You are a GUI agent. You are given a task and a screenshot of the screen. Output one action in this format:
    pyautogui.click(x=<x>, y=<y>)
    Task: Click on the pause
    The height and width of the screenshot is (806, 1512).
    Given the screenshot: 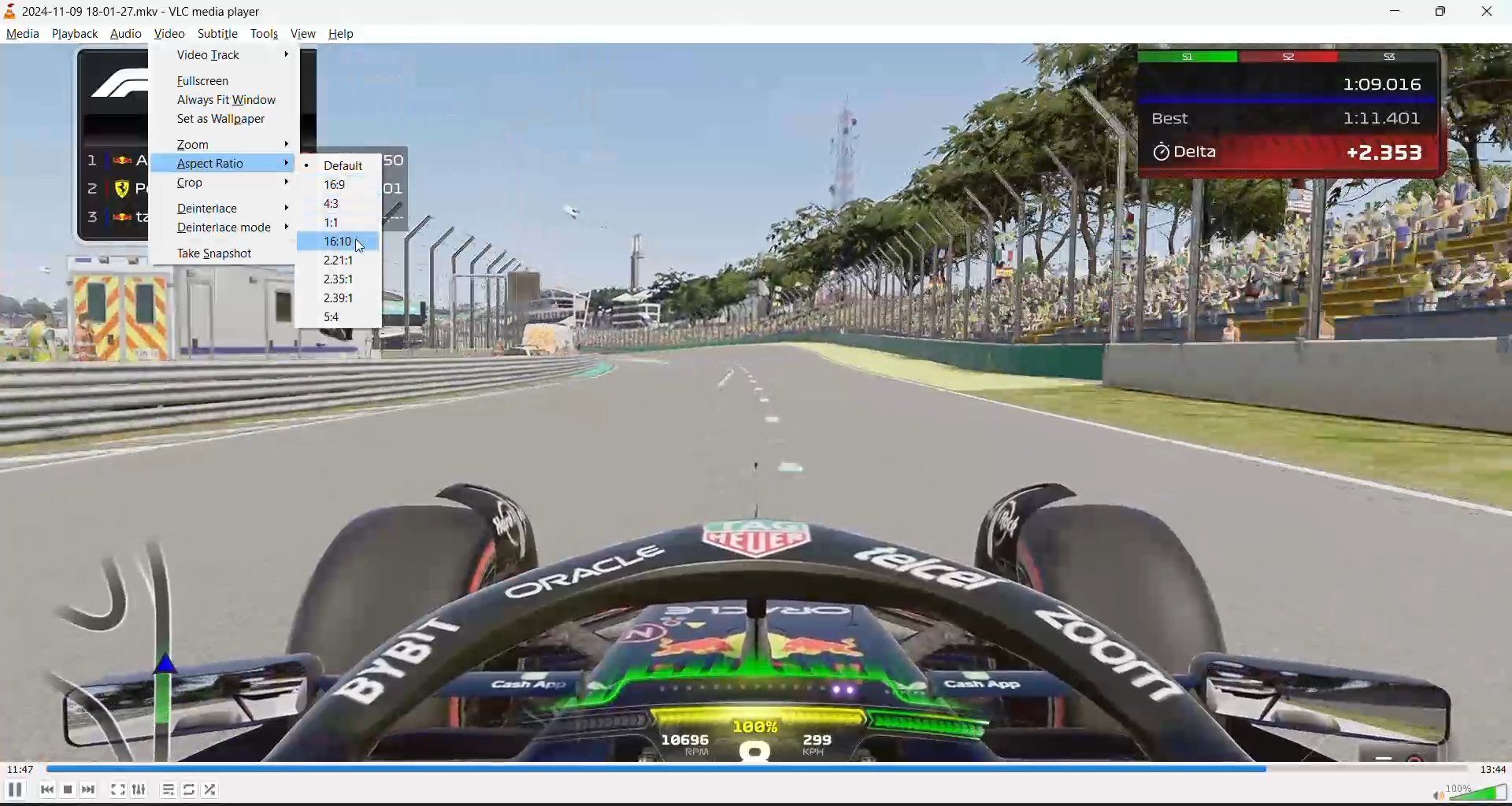 What is the action you would take?
    pyautogui.click(x=18, y=791)
    